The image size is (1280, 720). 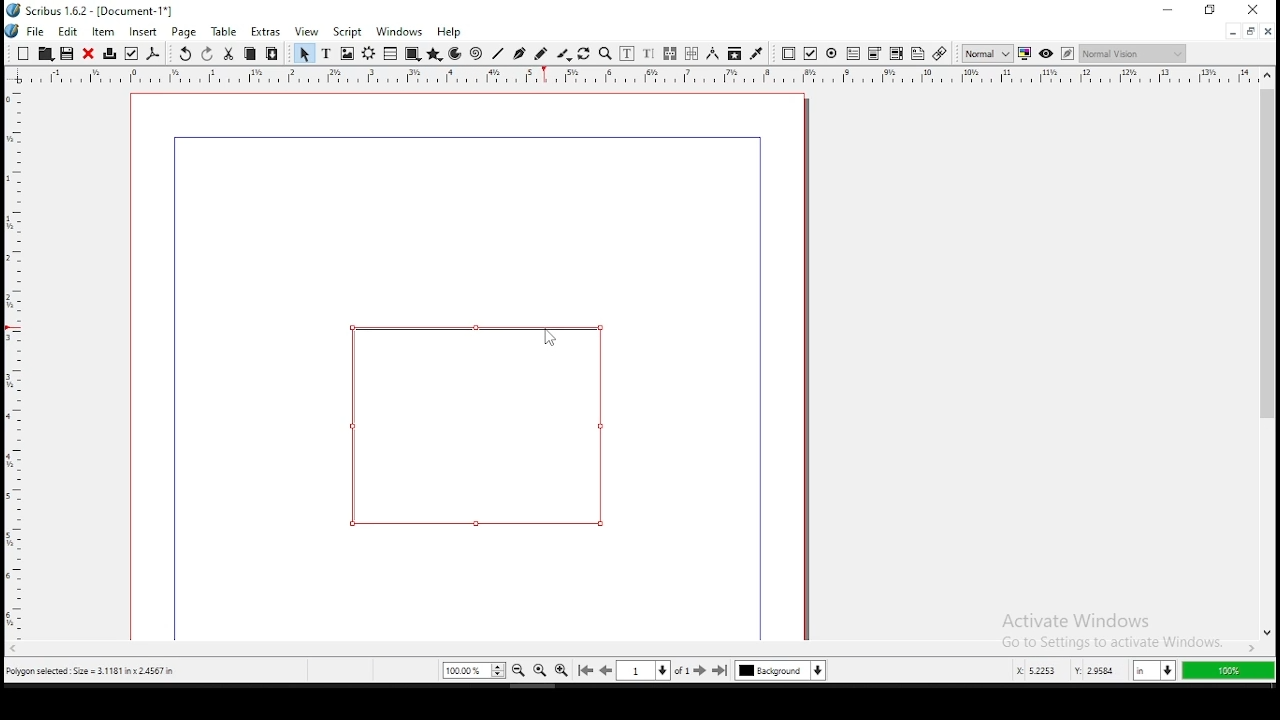 I want to click on open, so click(x=44, y=53).